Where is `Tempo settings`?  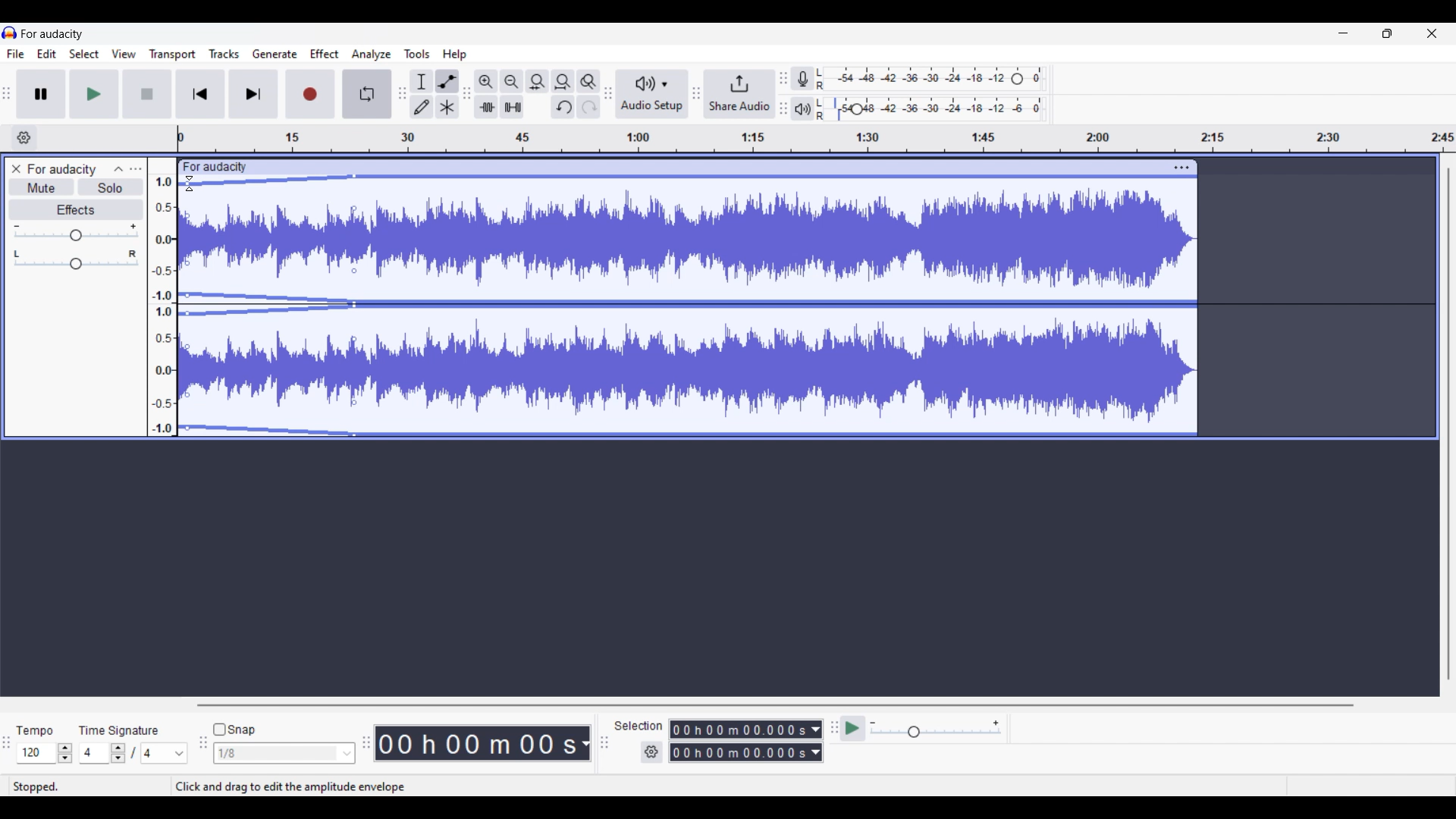 Tempo settings is located at coordinates (45, 753).